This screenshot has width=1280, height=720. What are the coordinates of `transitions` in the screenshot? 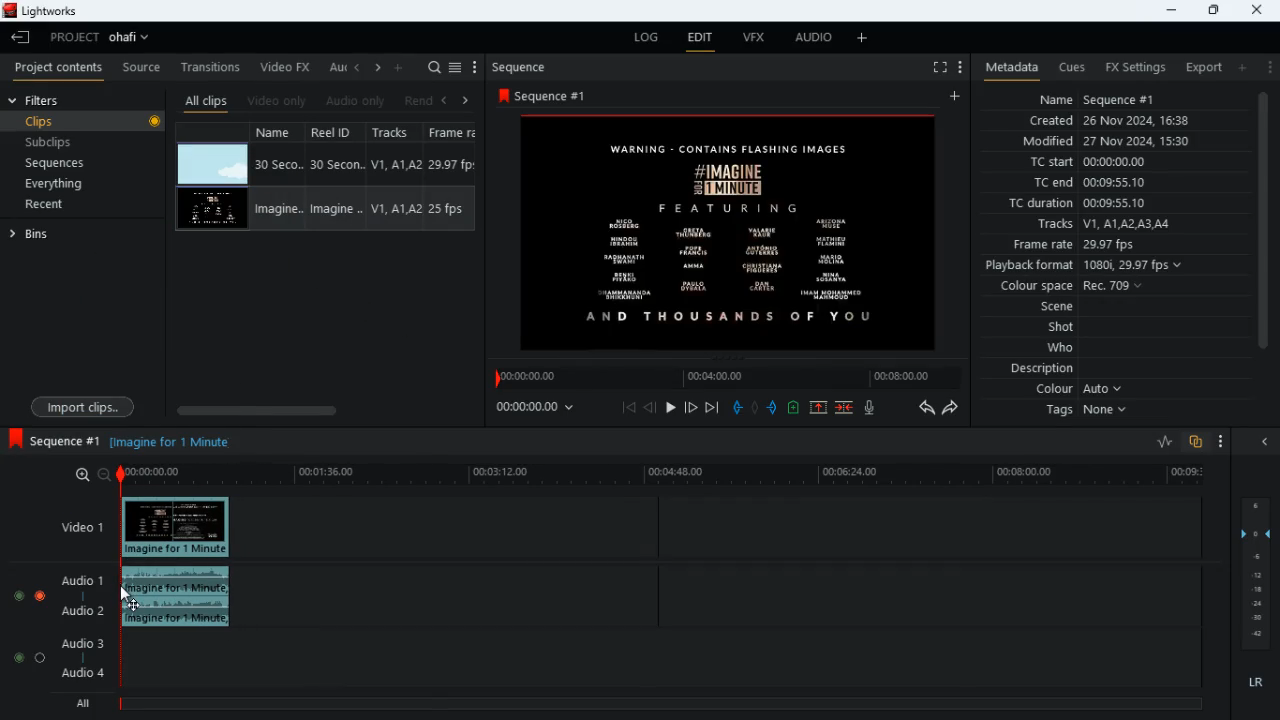 It's located at (212, 65).